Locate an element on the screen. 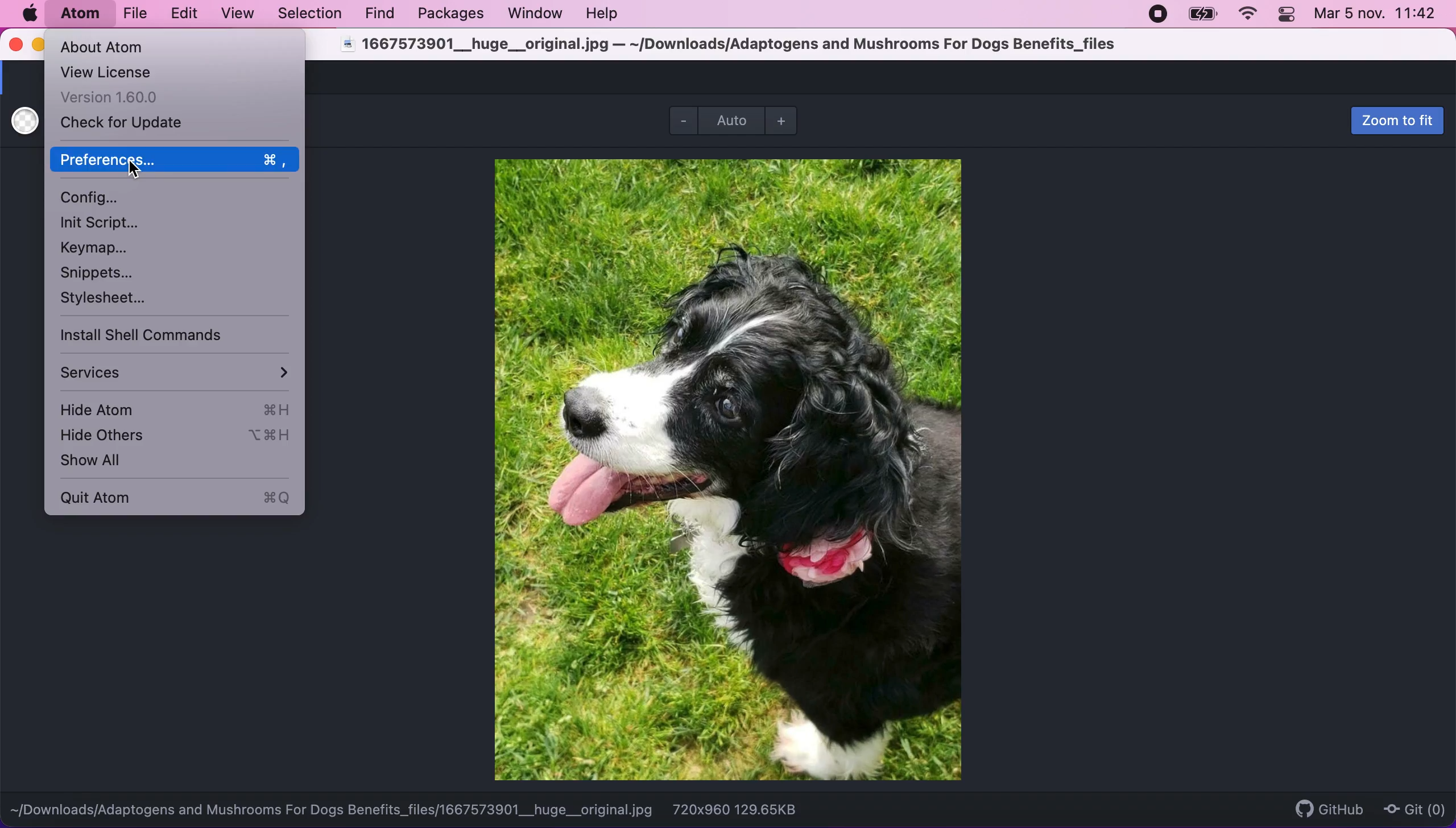 The width and height of the screenshot is (1456, 828). edit is located at coordinates (184, 13).